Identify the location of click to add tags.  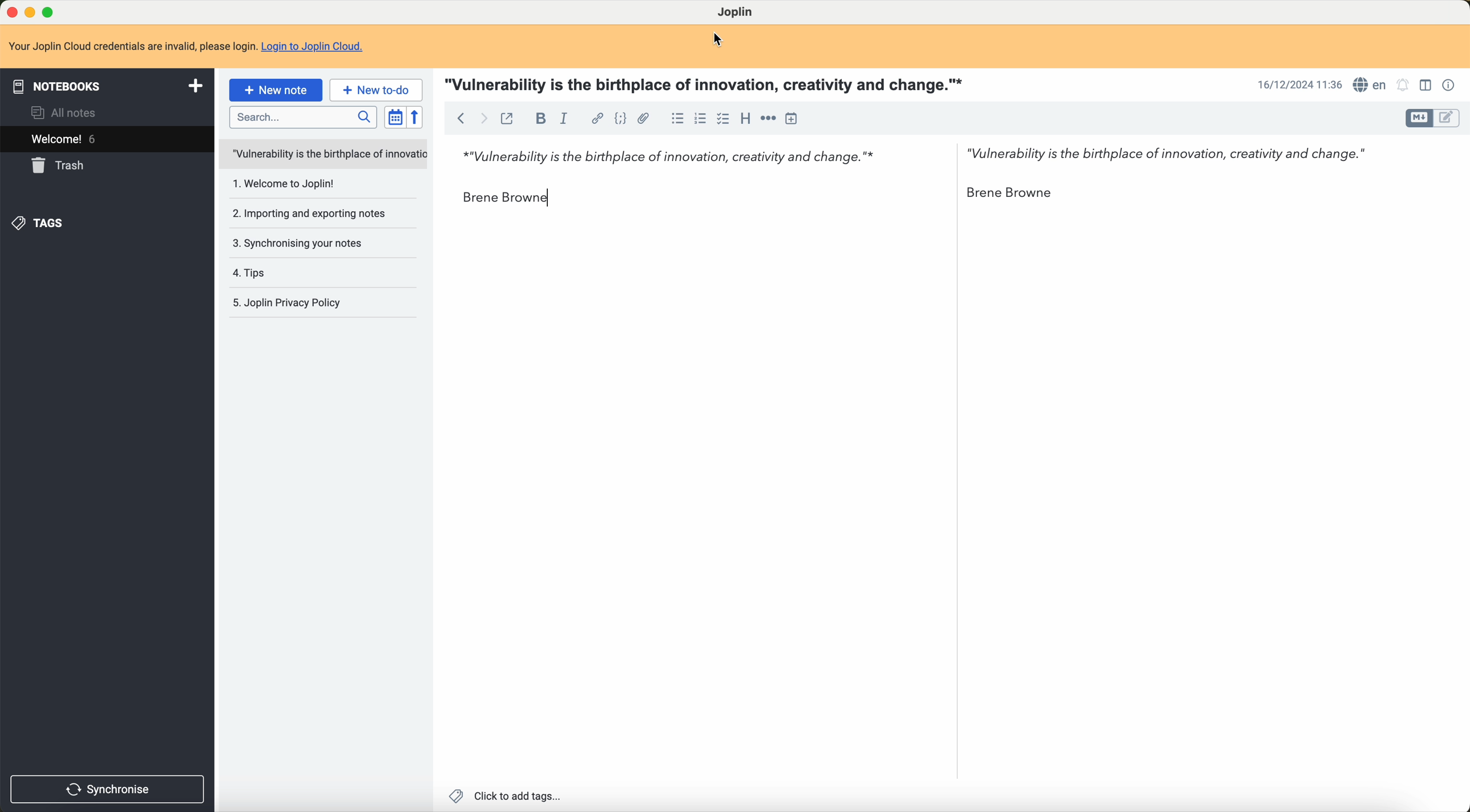
(506, 795).